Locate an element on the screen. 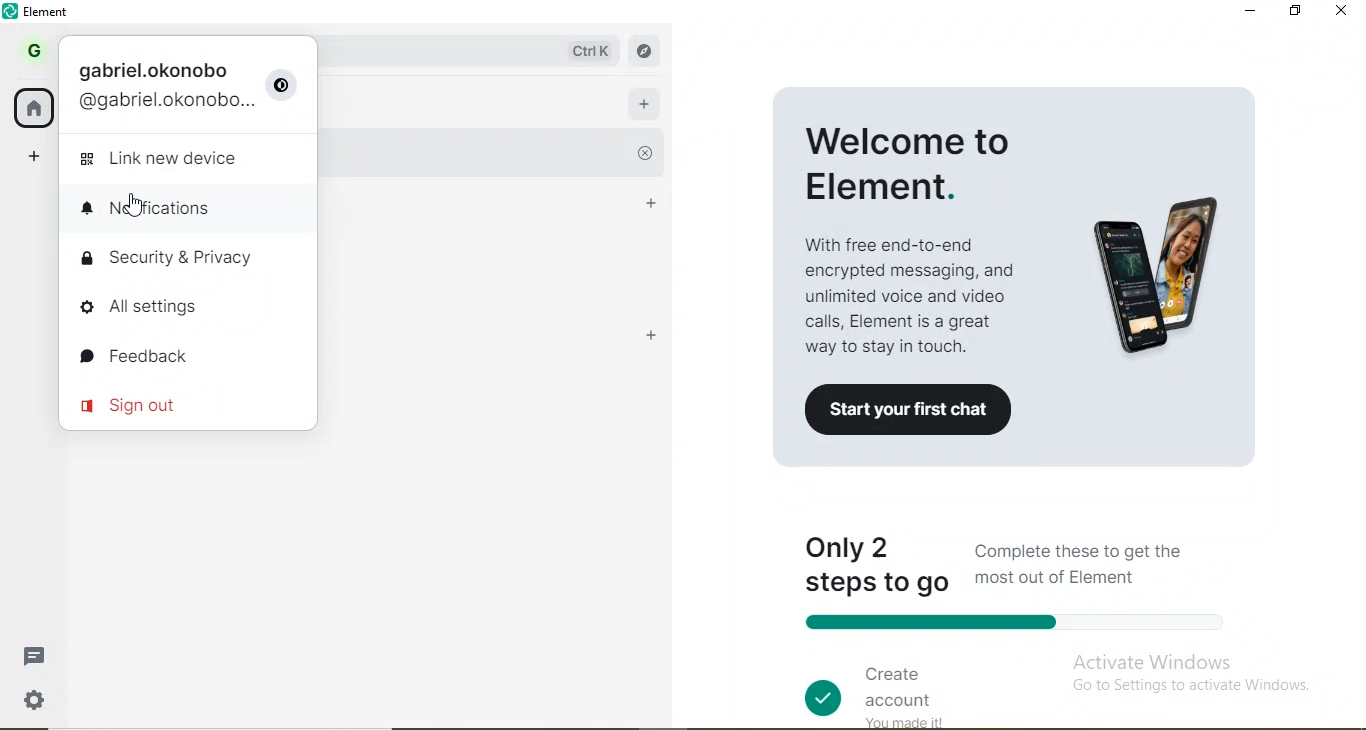  image is located at coordinates (1145, 262).